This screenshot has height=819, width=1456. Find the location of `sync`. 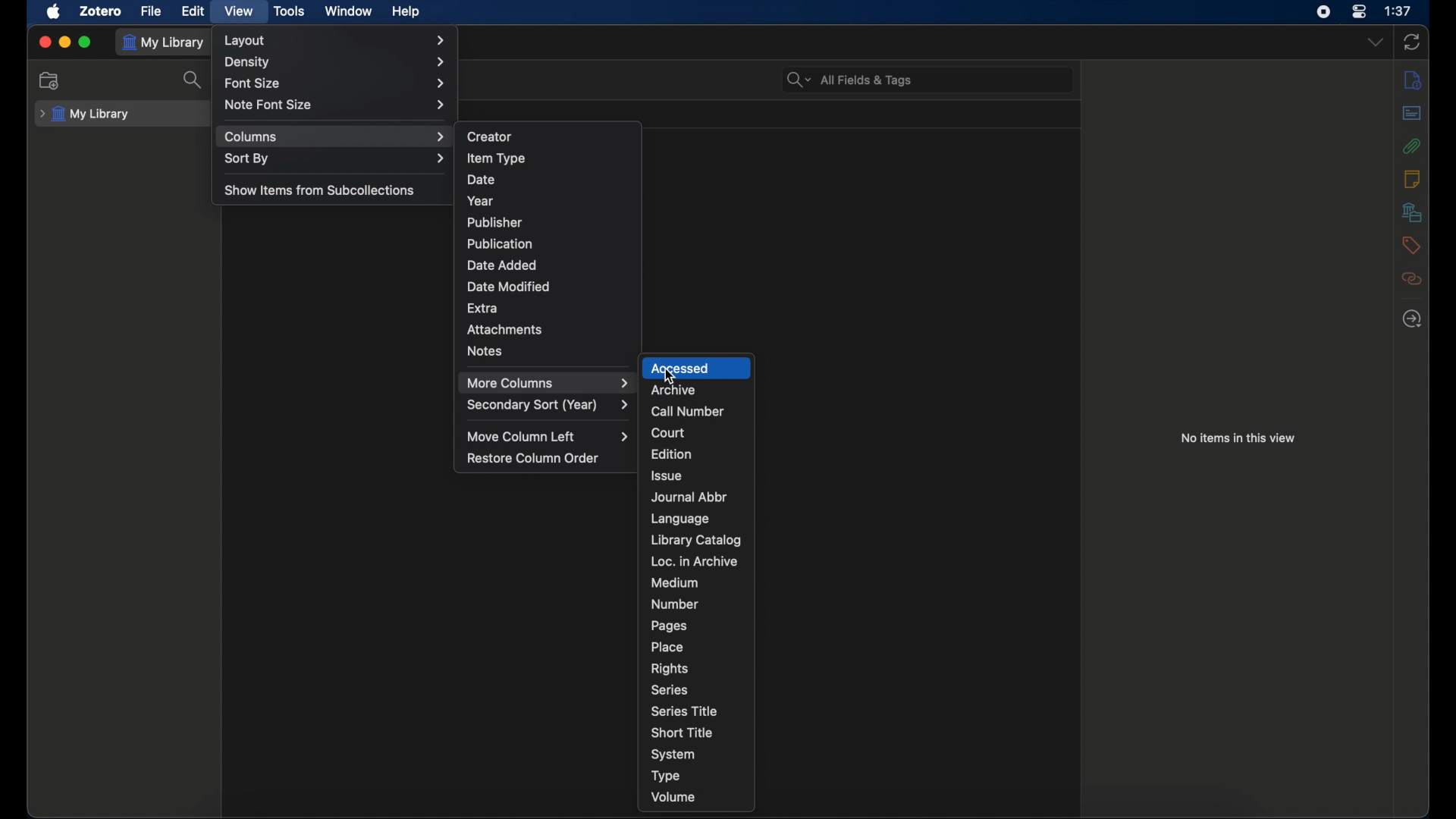

sync is located at coordinates (1412, 42).